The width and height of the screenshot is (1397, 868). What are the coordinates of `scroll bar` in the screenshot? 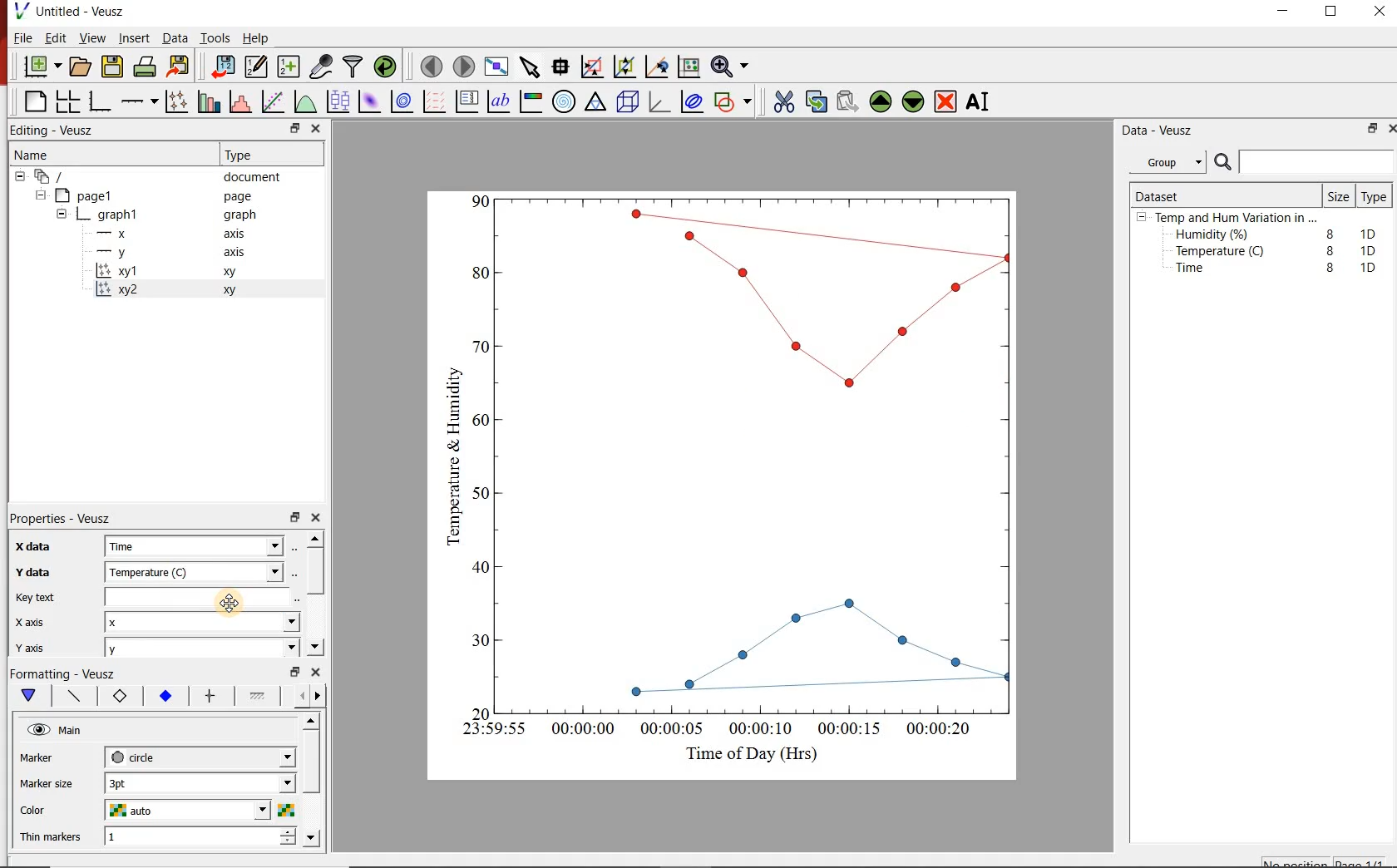 It's located at (313, 778).